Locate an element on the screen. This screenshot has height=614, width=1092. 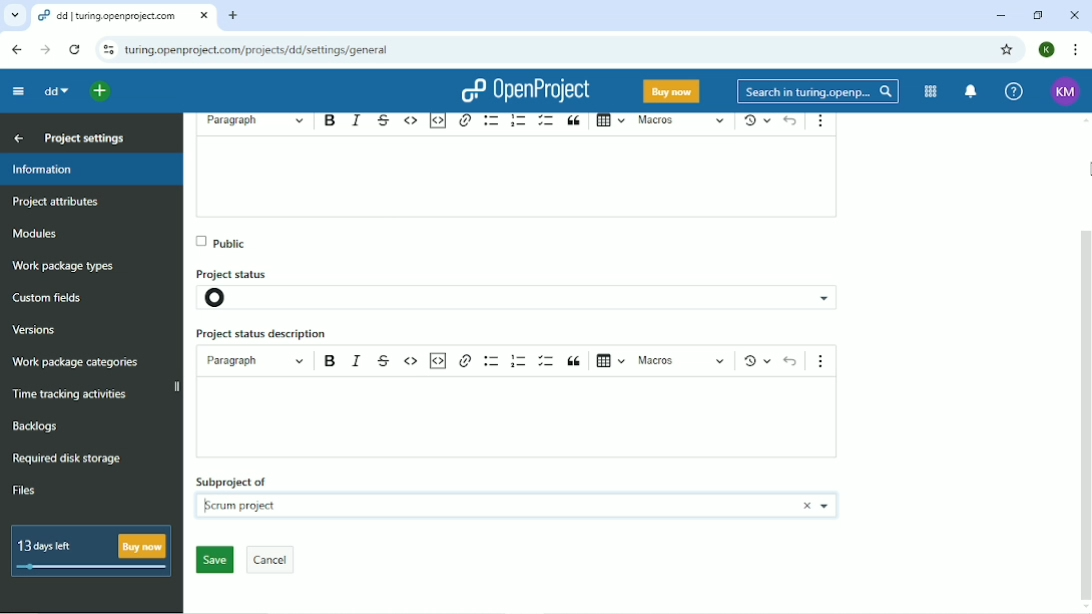
Undo is located at coordinates (792, 362).